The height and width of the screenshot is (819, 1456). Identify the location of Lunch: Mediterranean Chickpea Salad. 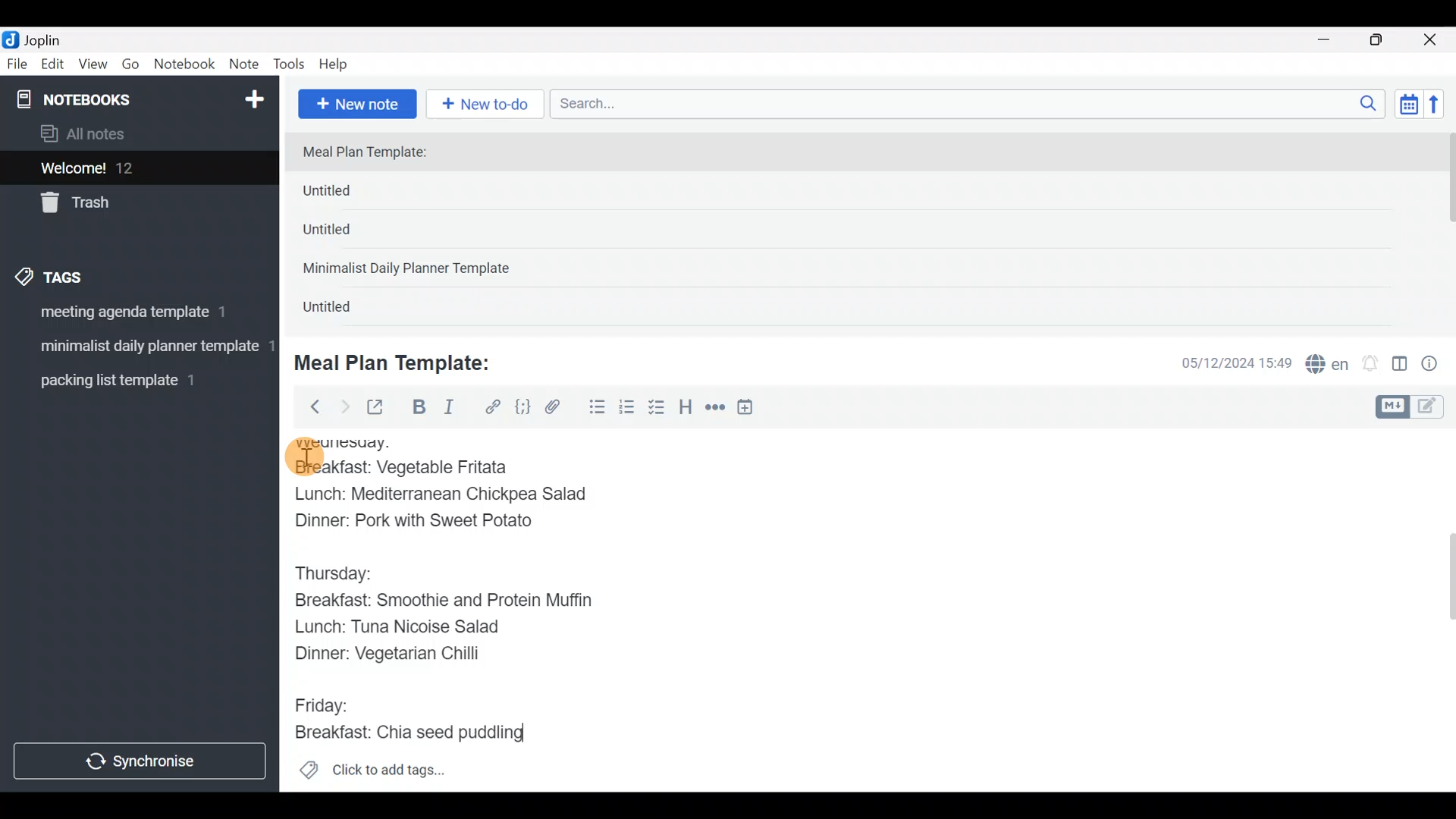
(455, 494).